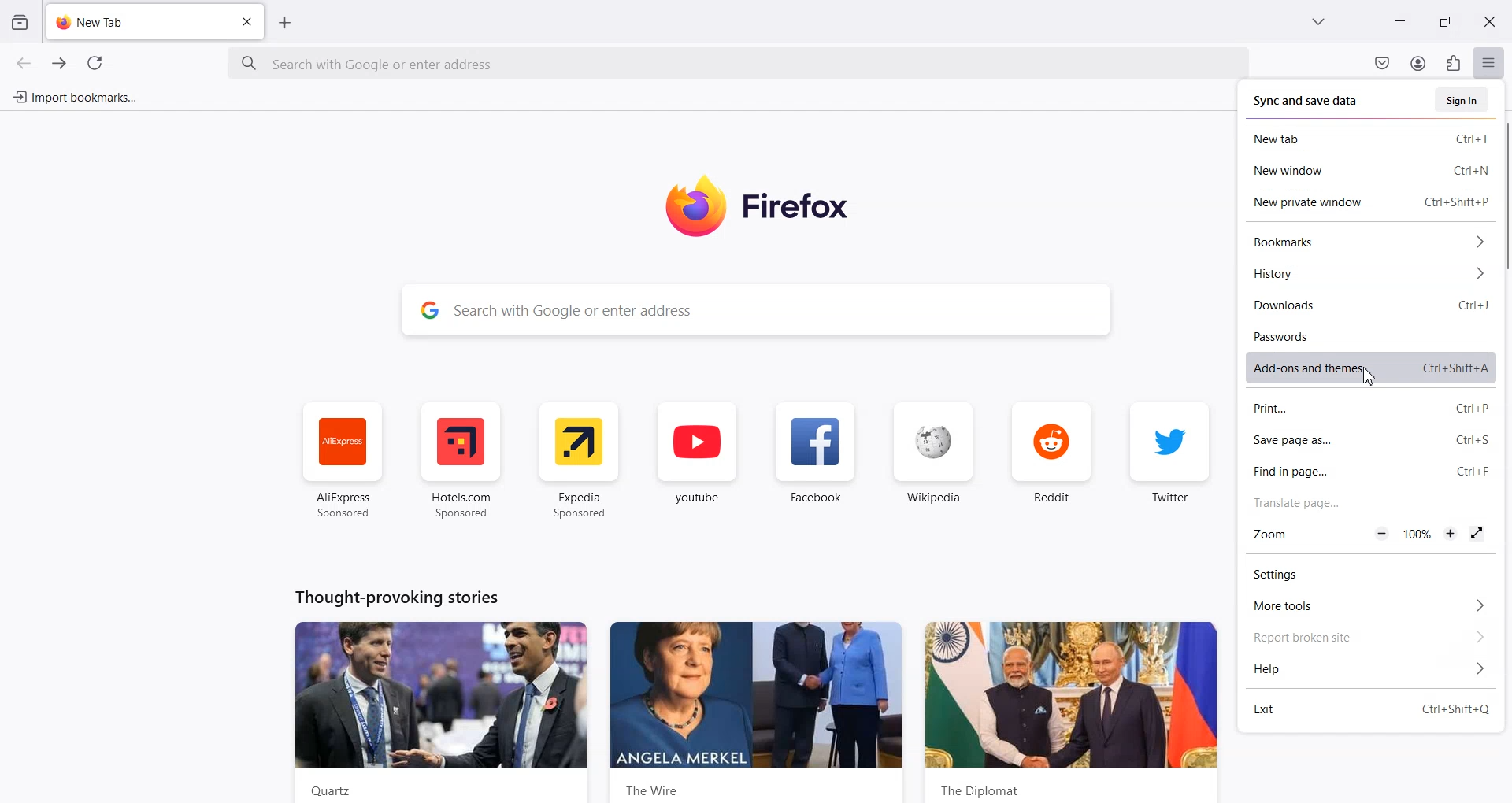 The image size is (1512, 803). I want to click on Extensions, so click(1453, 63).